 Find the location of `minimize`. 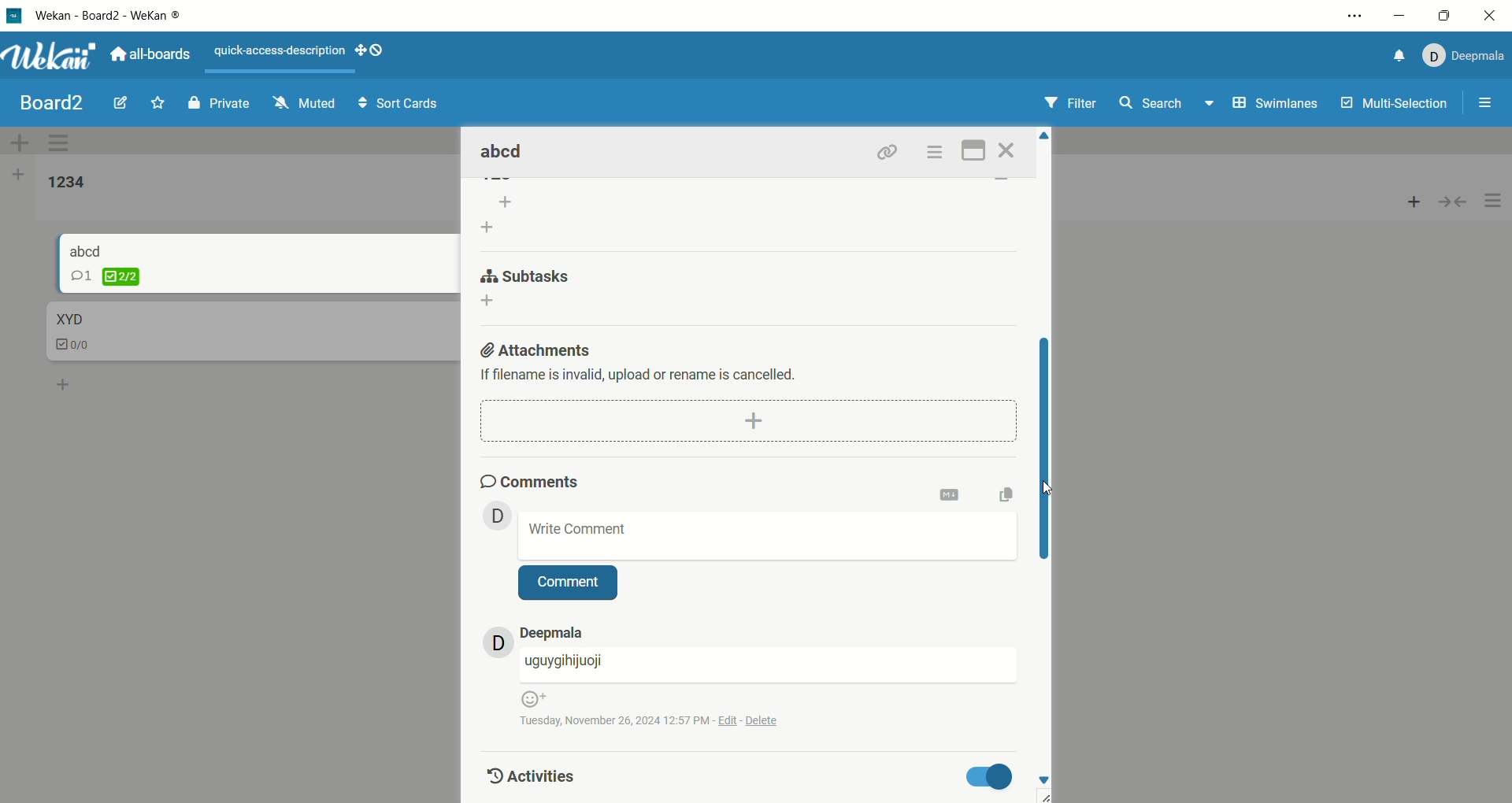

minimize is located at coordinates (1400, 17).